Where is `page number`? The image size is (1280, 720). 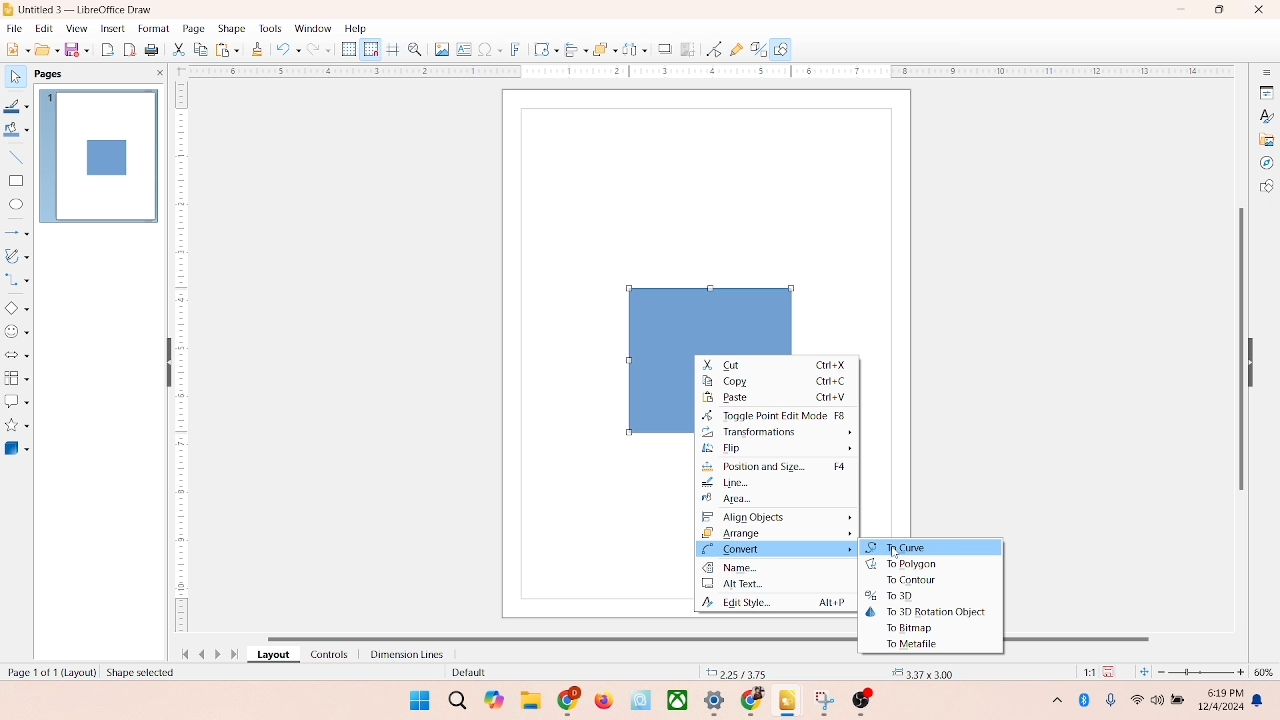
page number is located at coordinates (48, 671).